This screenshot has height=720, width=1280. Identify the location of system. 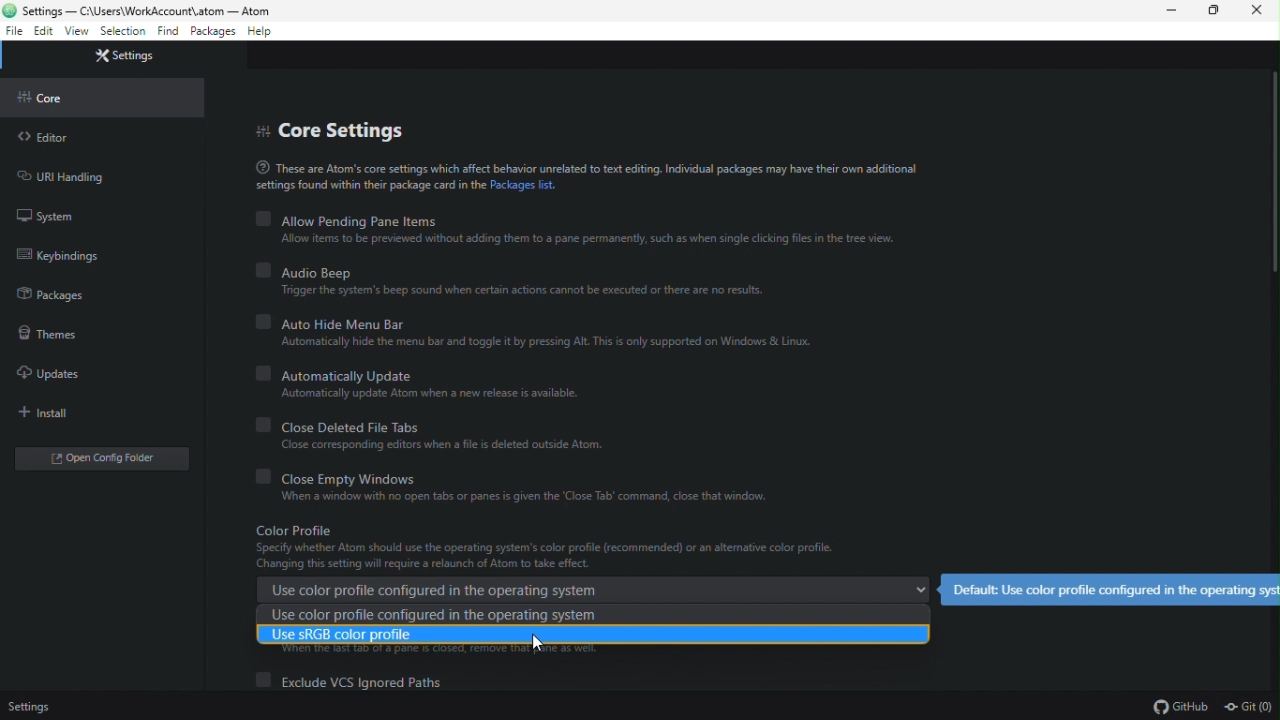
(56, 218).